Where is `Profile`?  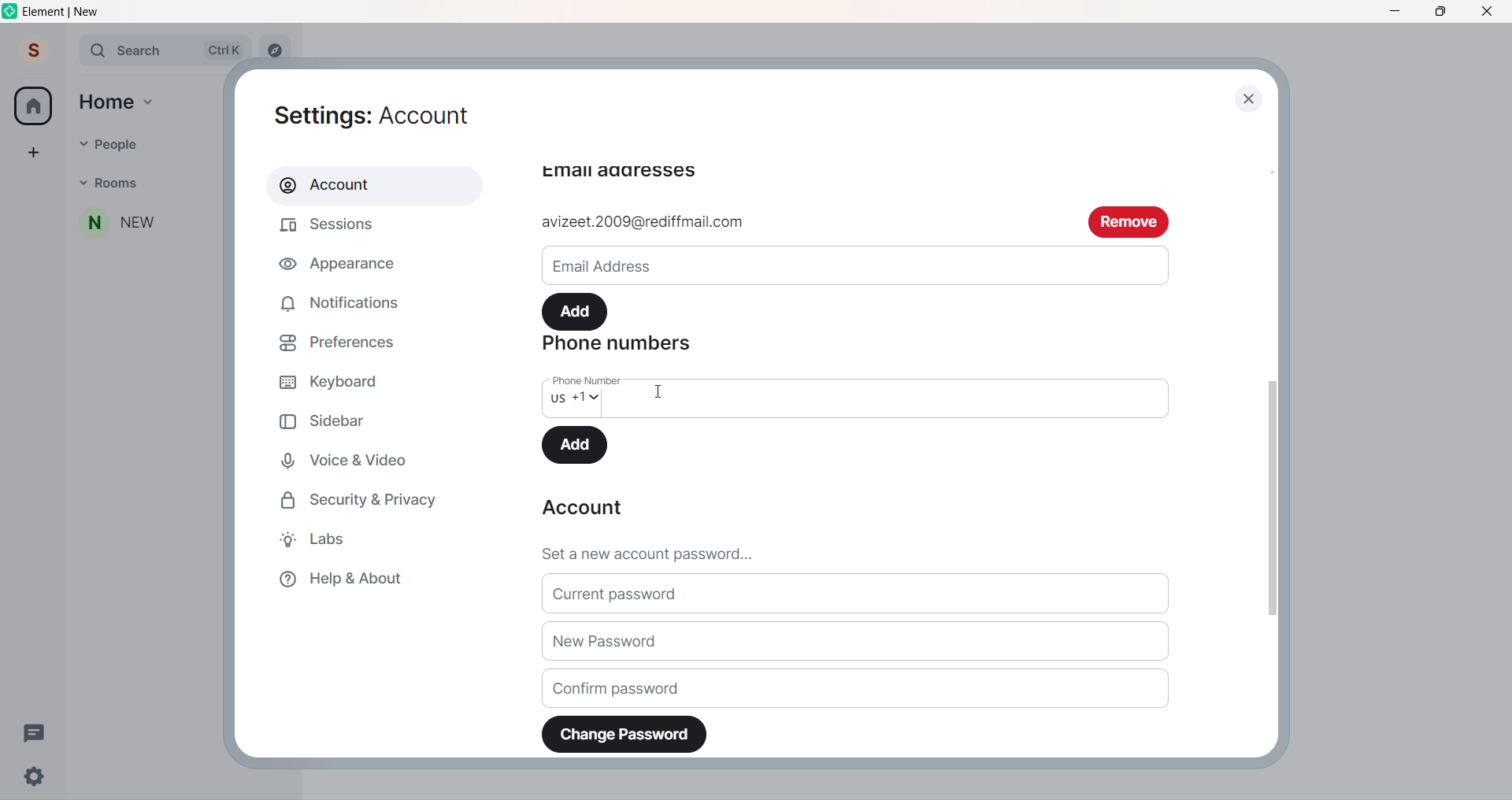 Profile is located at coordinates (31, 52).